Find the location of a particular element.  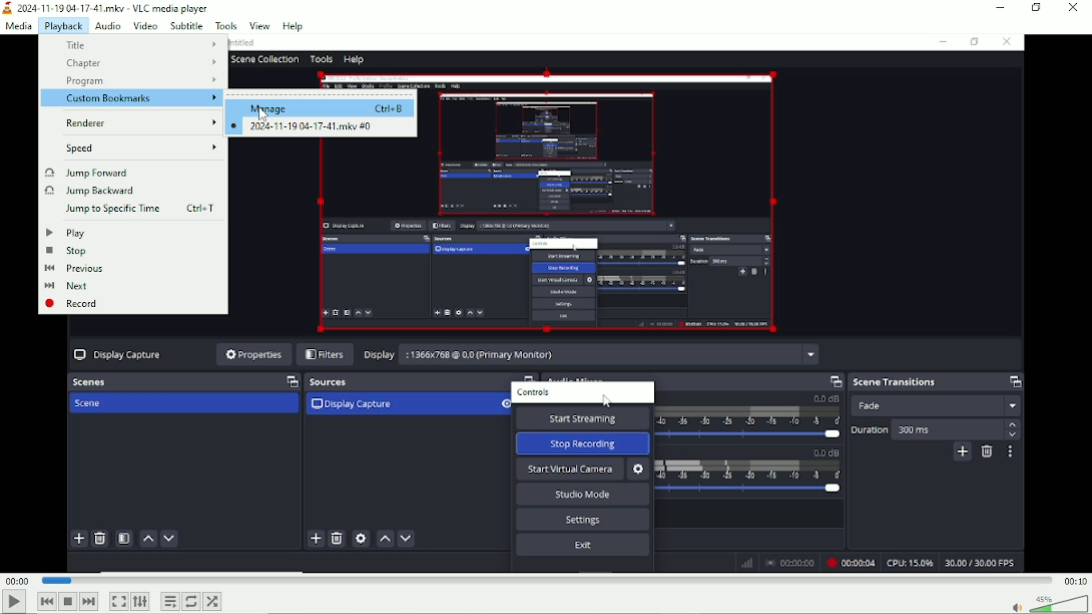

Subtitle is located at coordinates (187, 25).